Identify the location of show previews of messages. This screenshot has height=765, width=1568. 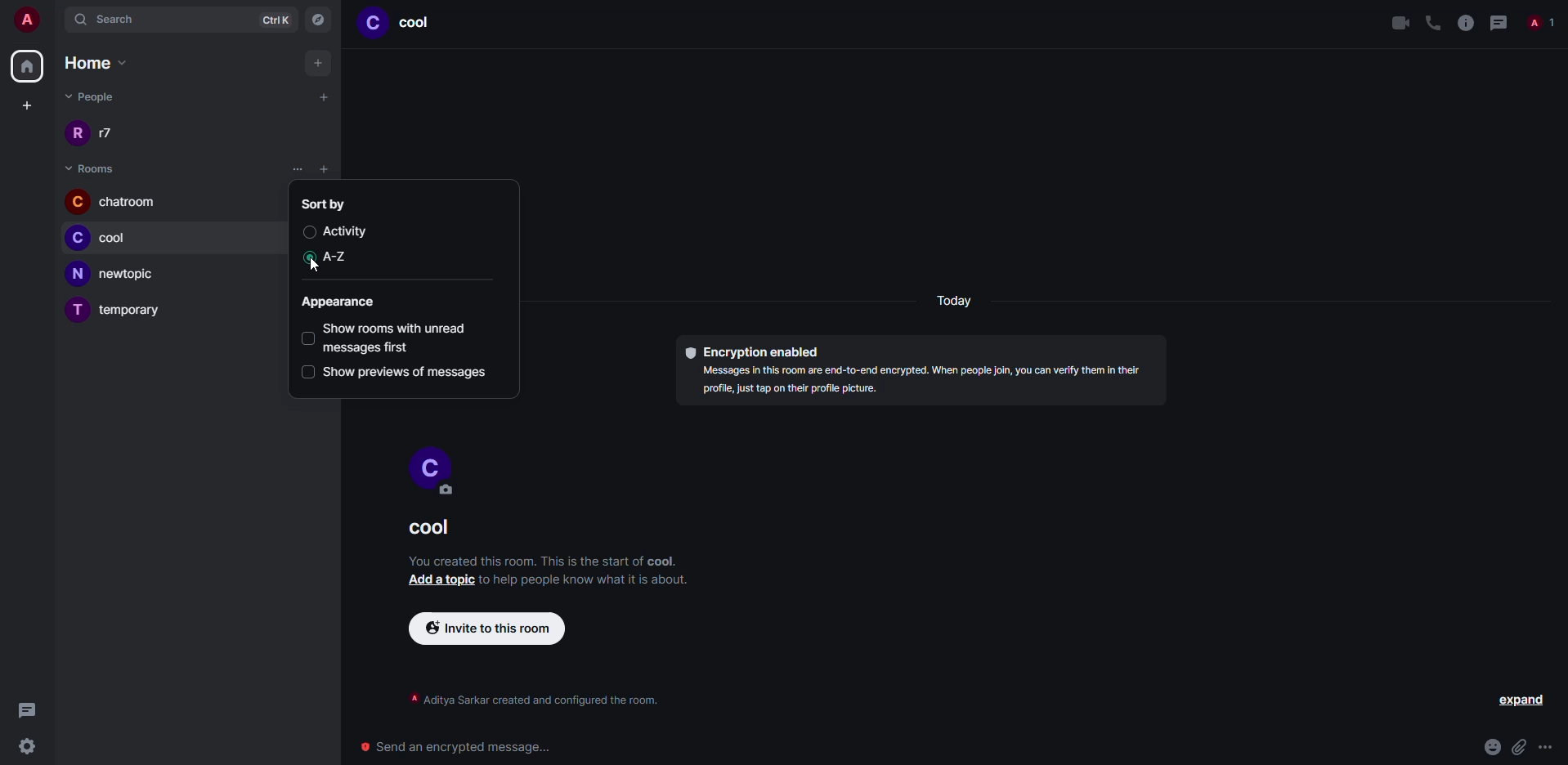
(405, 371).